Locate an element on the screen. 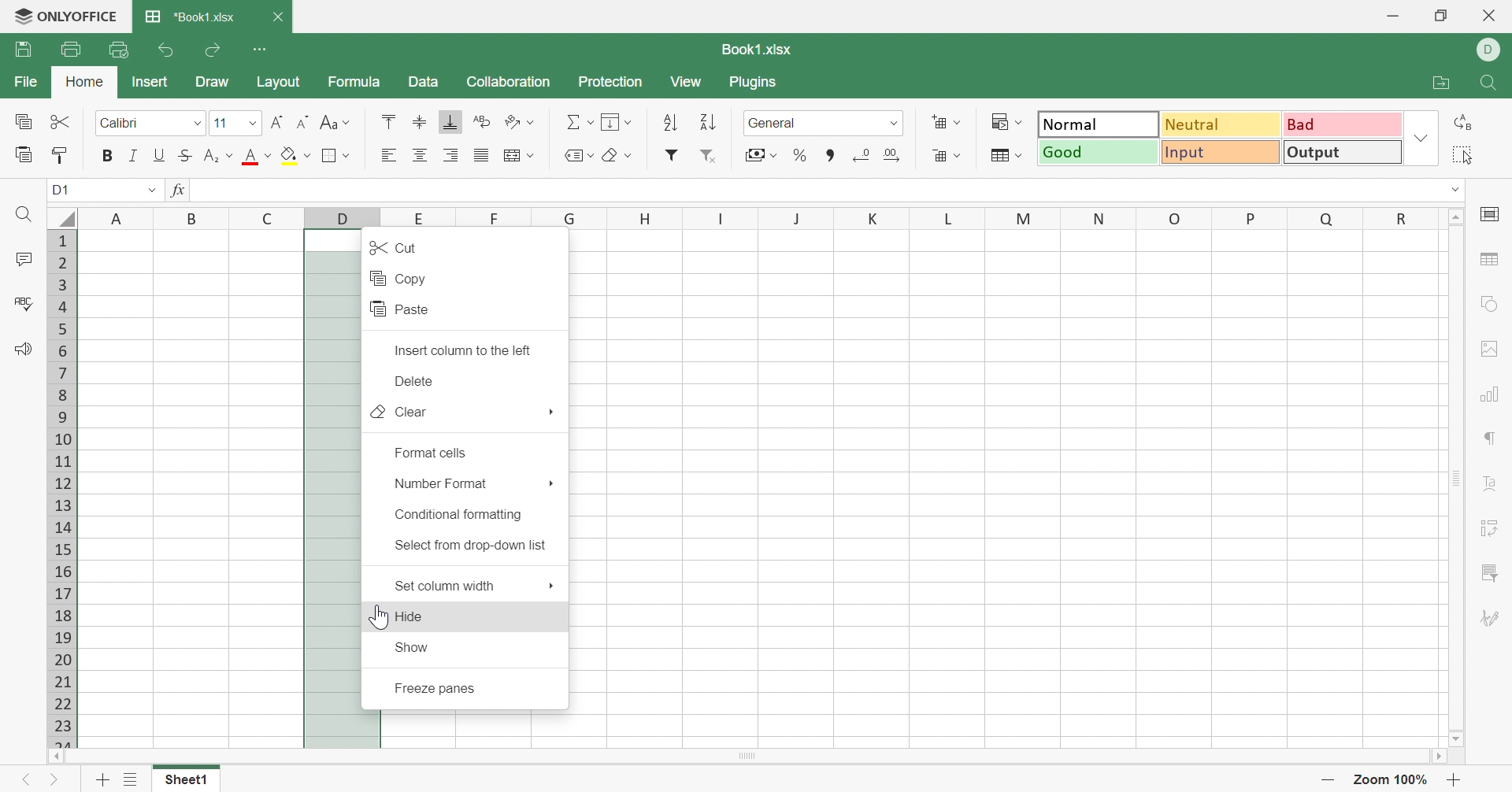 This screenshot has height=792, width=1512. Orientation is located at coordinates (510, 121).